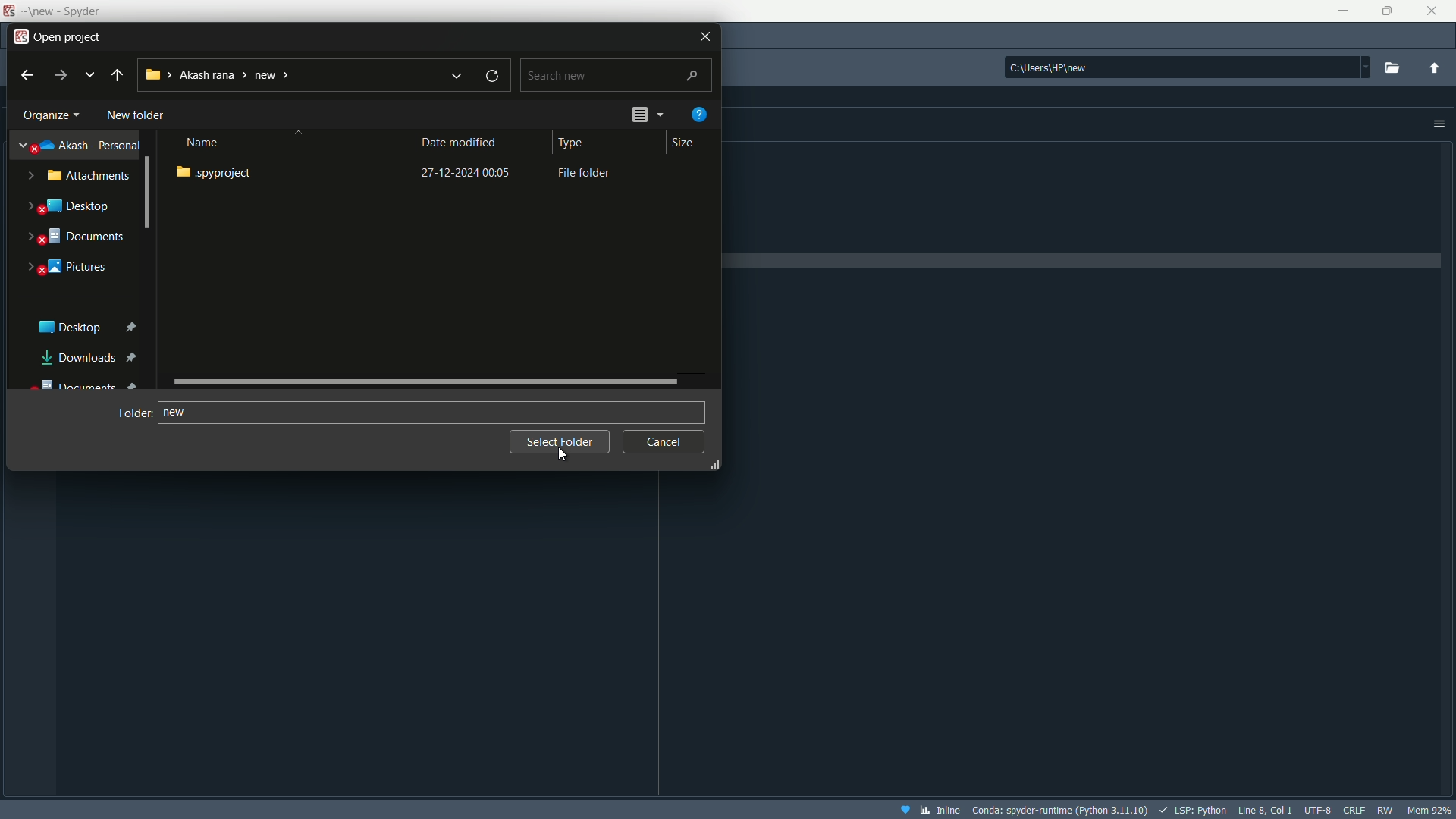 This screenshot has height=819, width=1456. I want to click on file eol status, so click(1354, 808).